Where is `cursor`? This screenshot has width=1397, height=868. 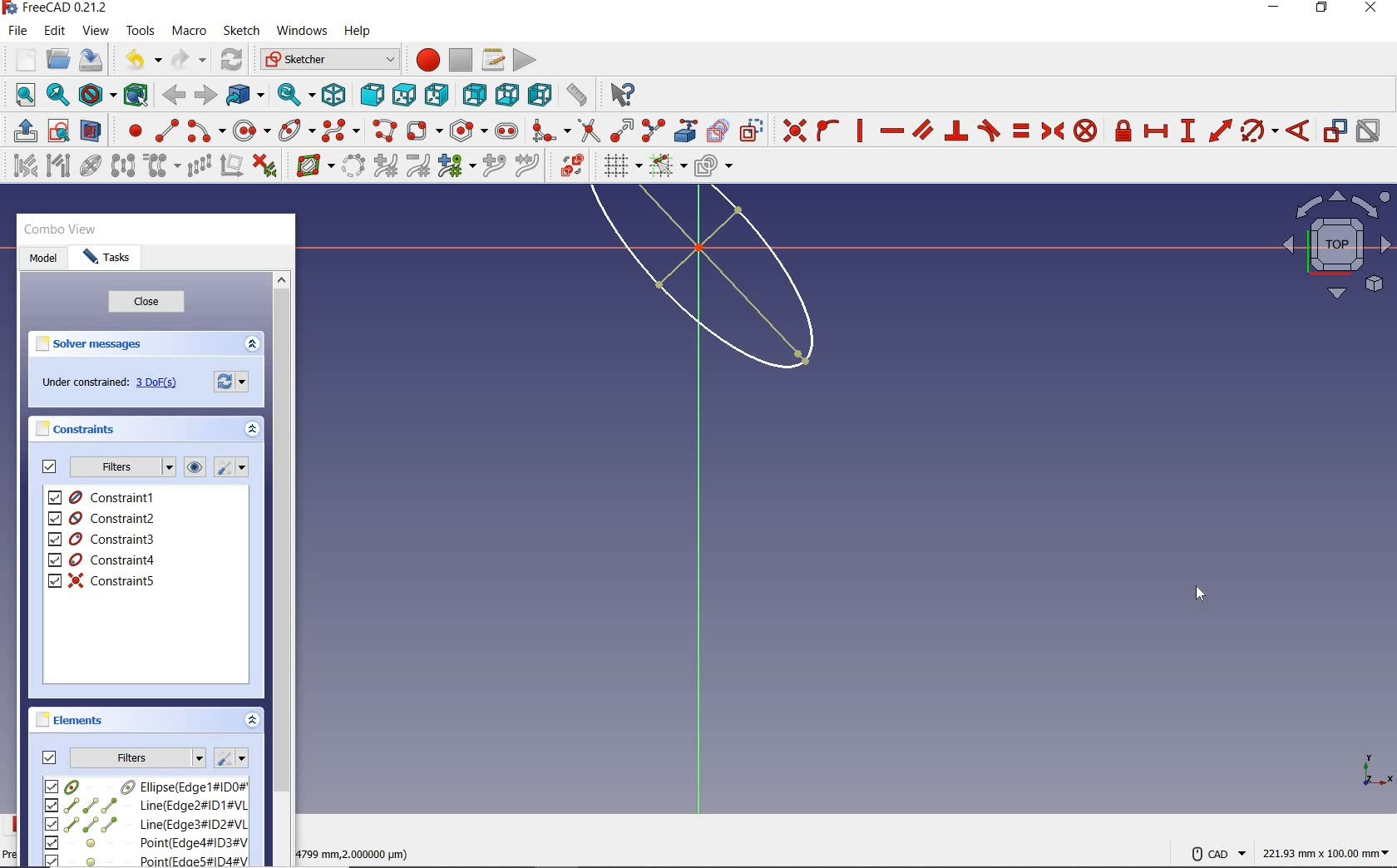 cursor is located at coordinates (1200, 593).